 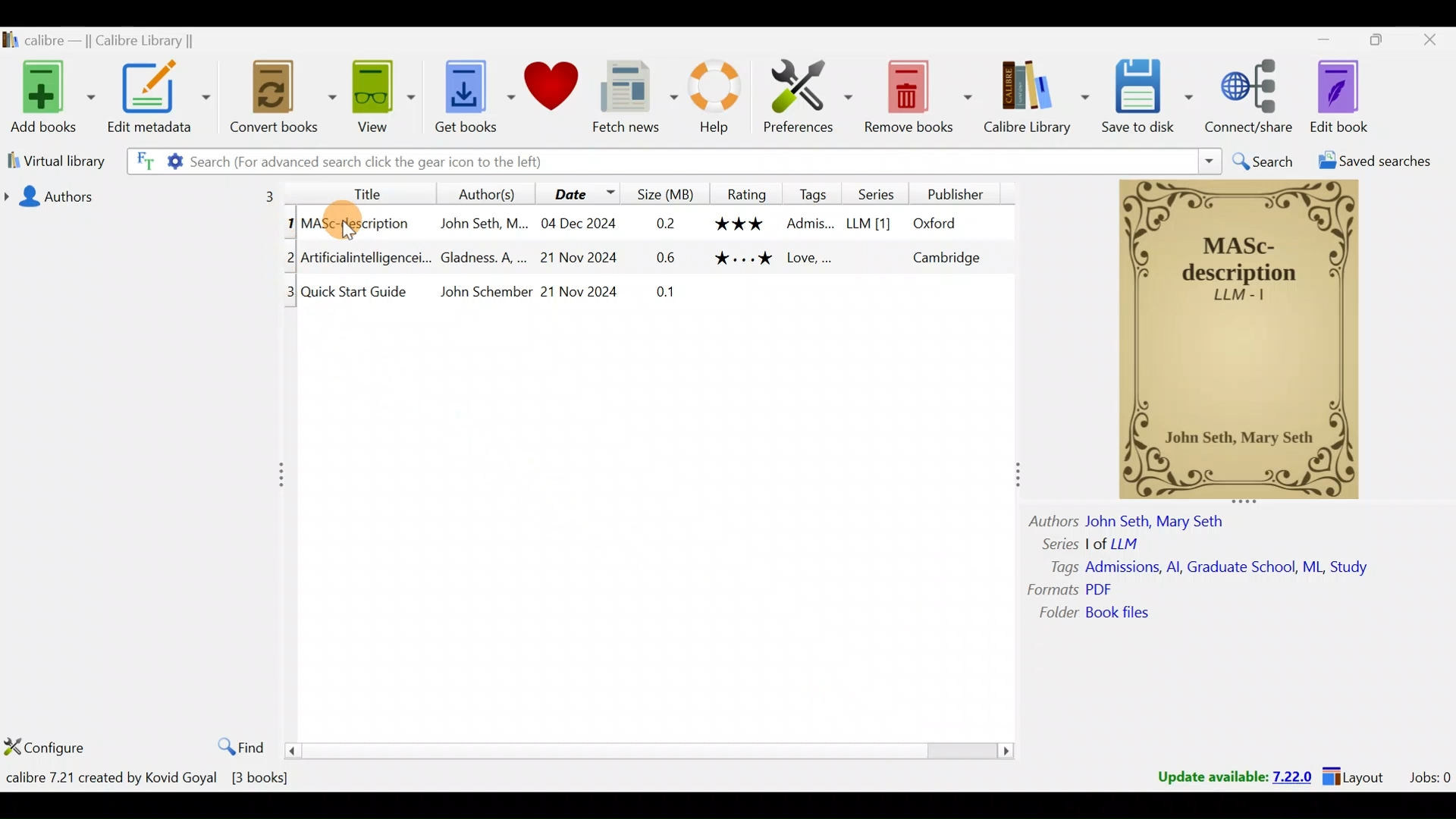 What do you see at coordinates (1428, 780) in the screenshot?
I see `Jobs` at bounding box center [1428, 780].